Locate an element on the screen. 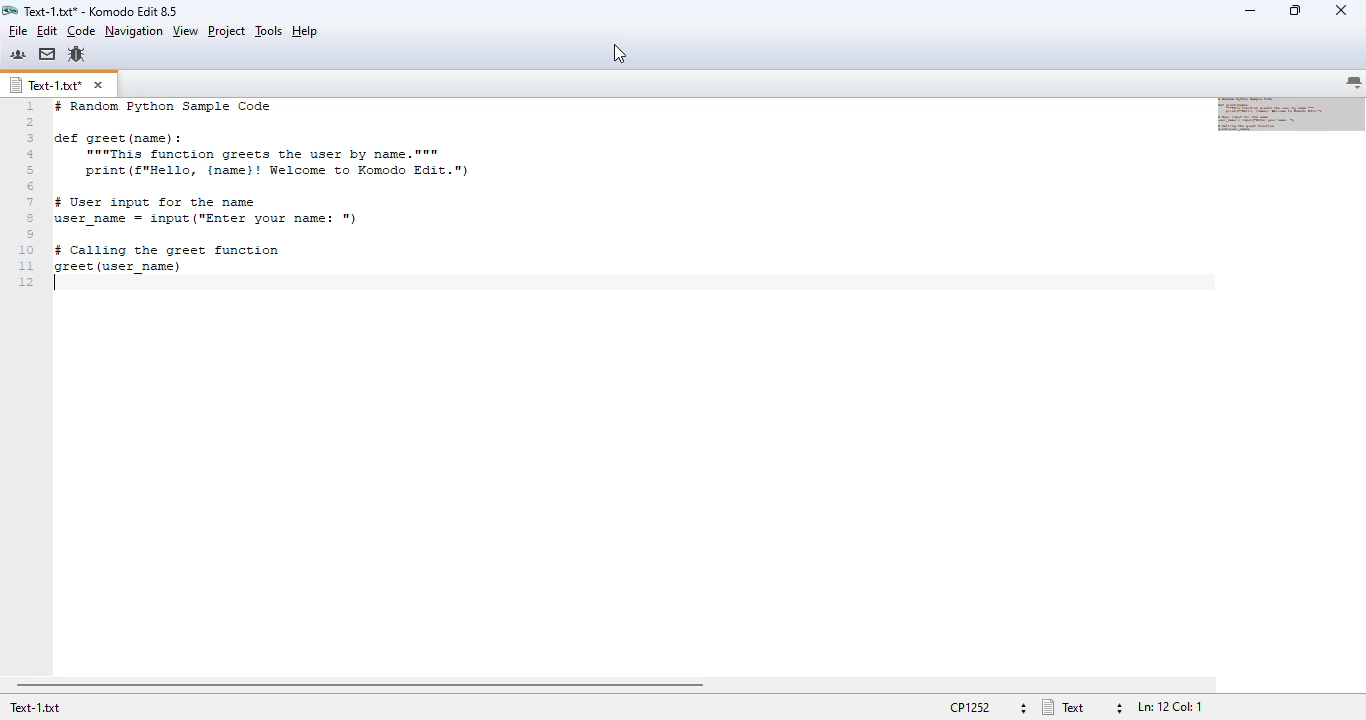  navigation is located at coordinates (133, 31).